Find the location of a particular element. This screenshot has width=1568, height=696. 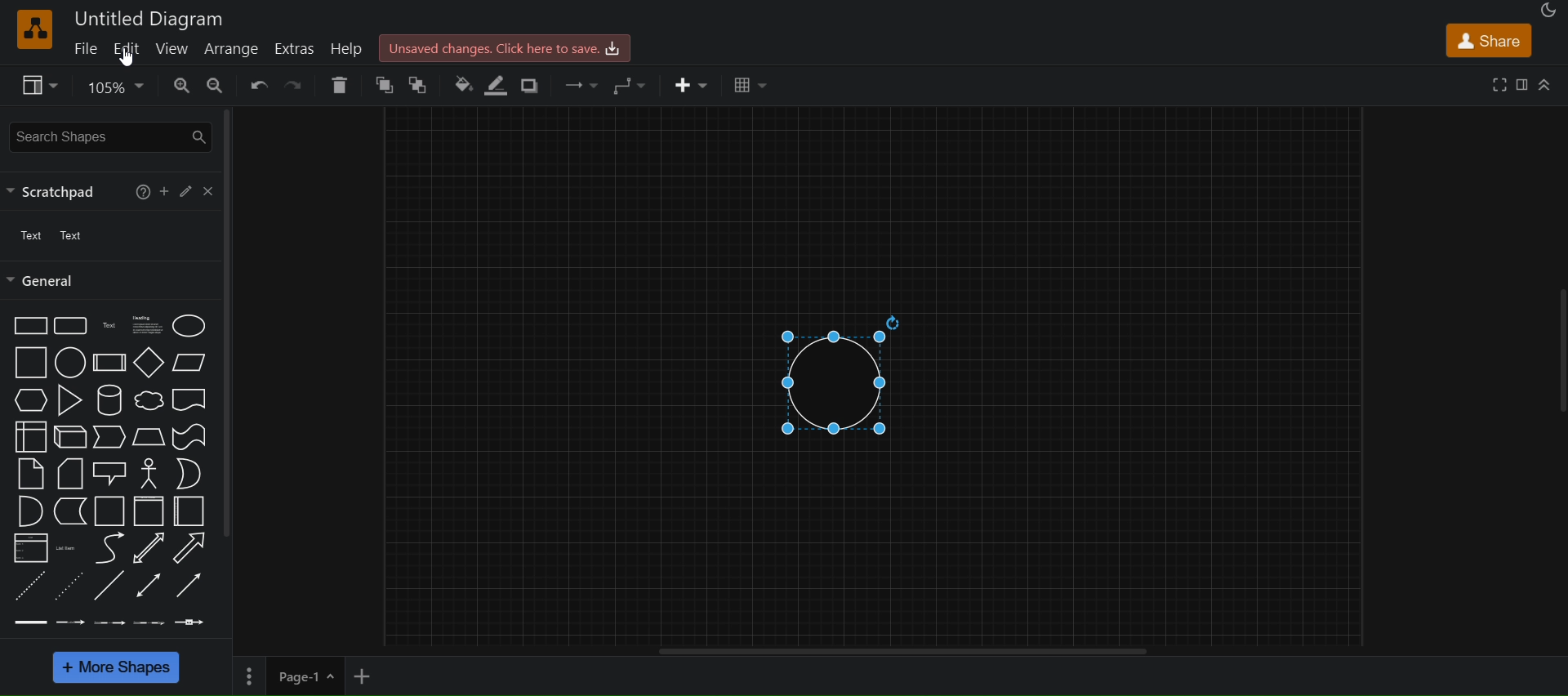

heading is located at coordinates (149, 326).